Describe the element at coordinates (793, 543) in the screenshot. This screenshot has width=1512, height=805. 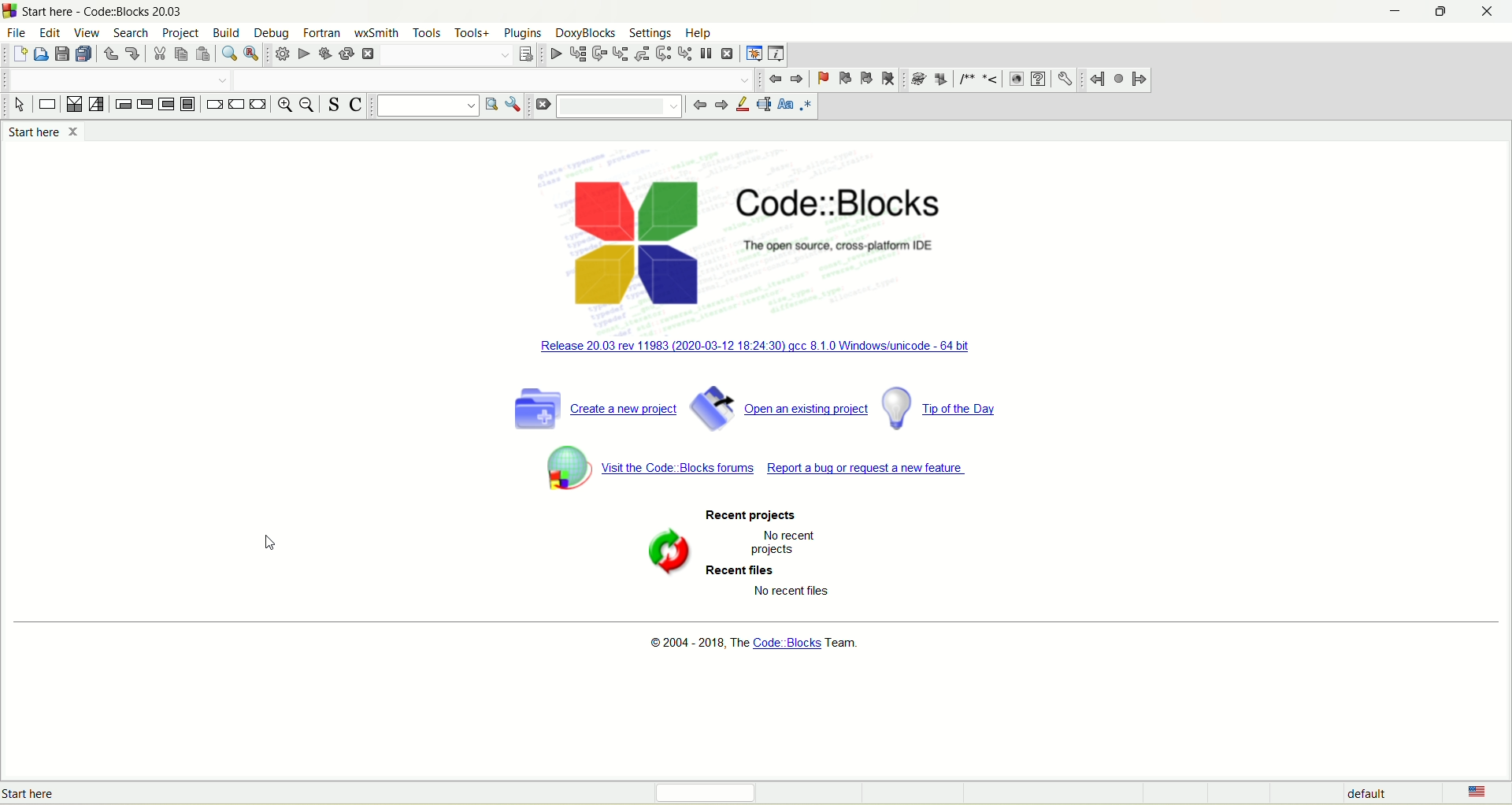
I see `text` at that location.